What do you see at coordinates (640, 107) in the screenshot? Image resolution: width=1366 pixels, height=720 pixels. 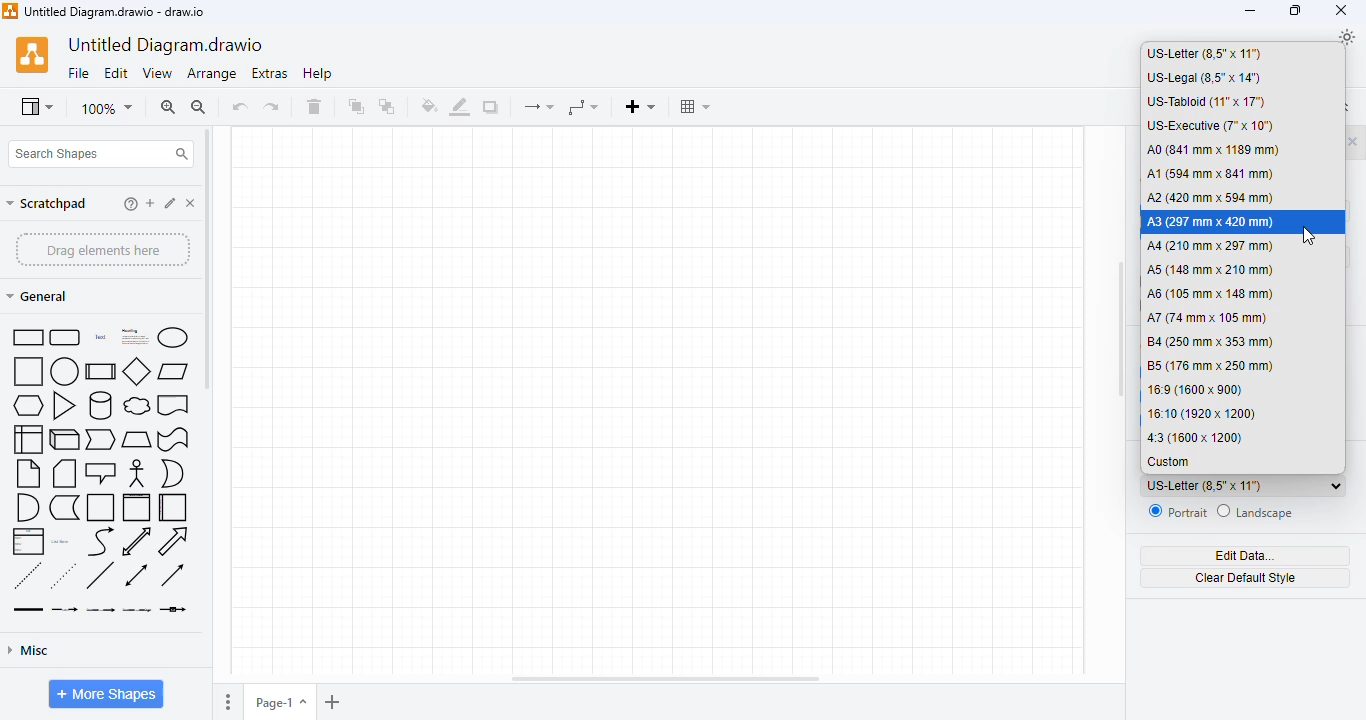 I see `insert` at bounding box center [640, 107].